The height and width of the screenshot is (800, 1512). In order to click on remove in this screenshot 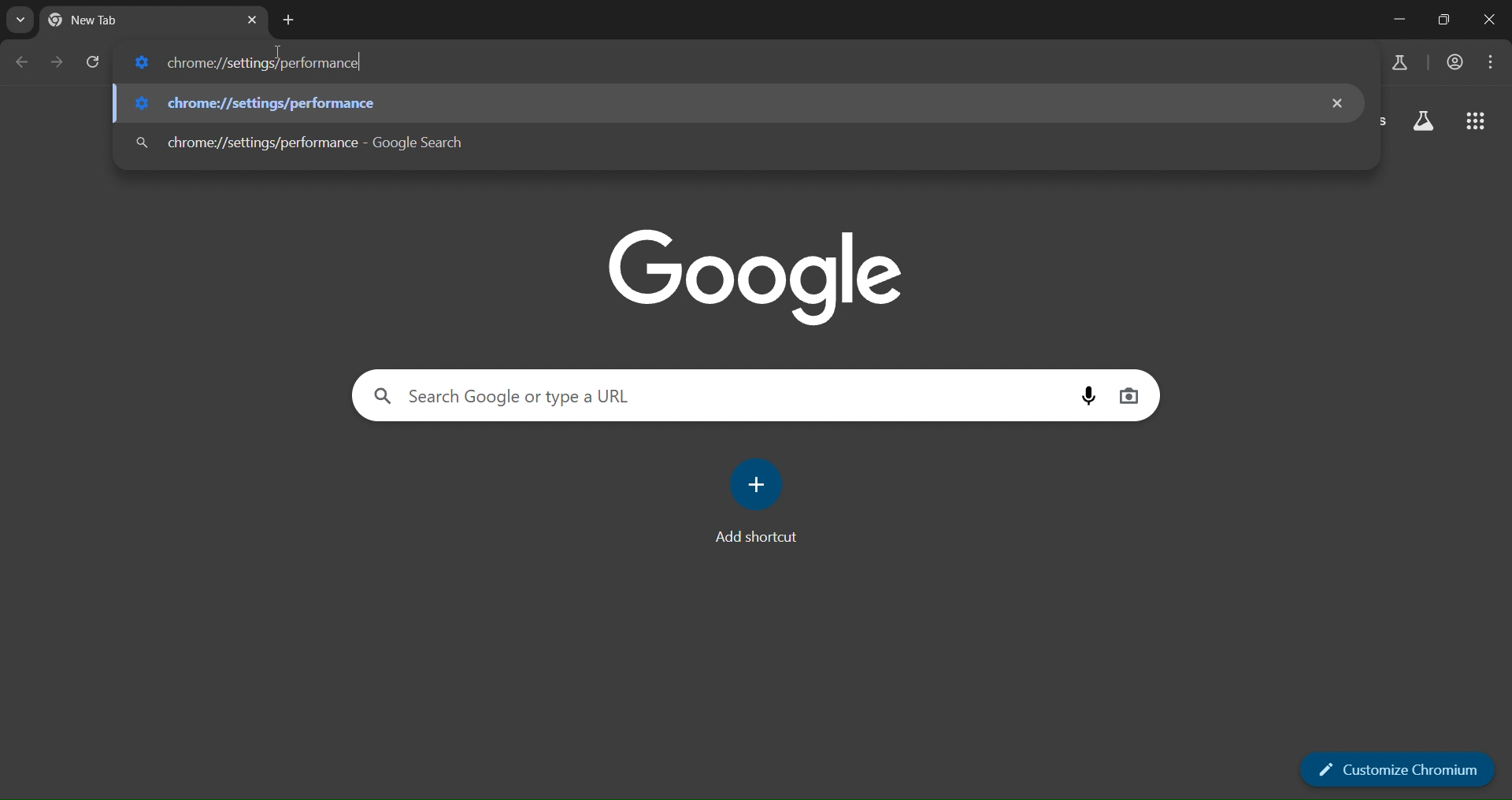, I will do `click(1341, 101)`.